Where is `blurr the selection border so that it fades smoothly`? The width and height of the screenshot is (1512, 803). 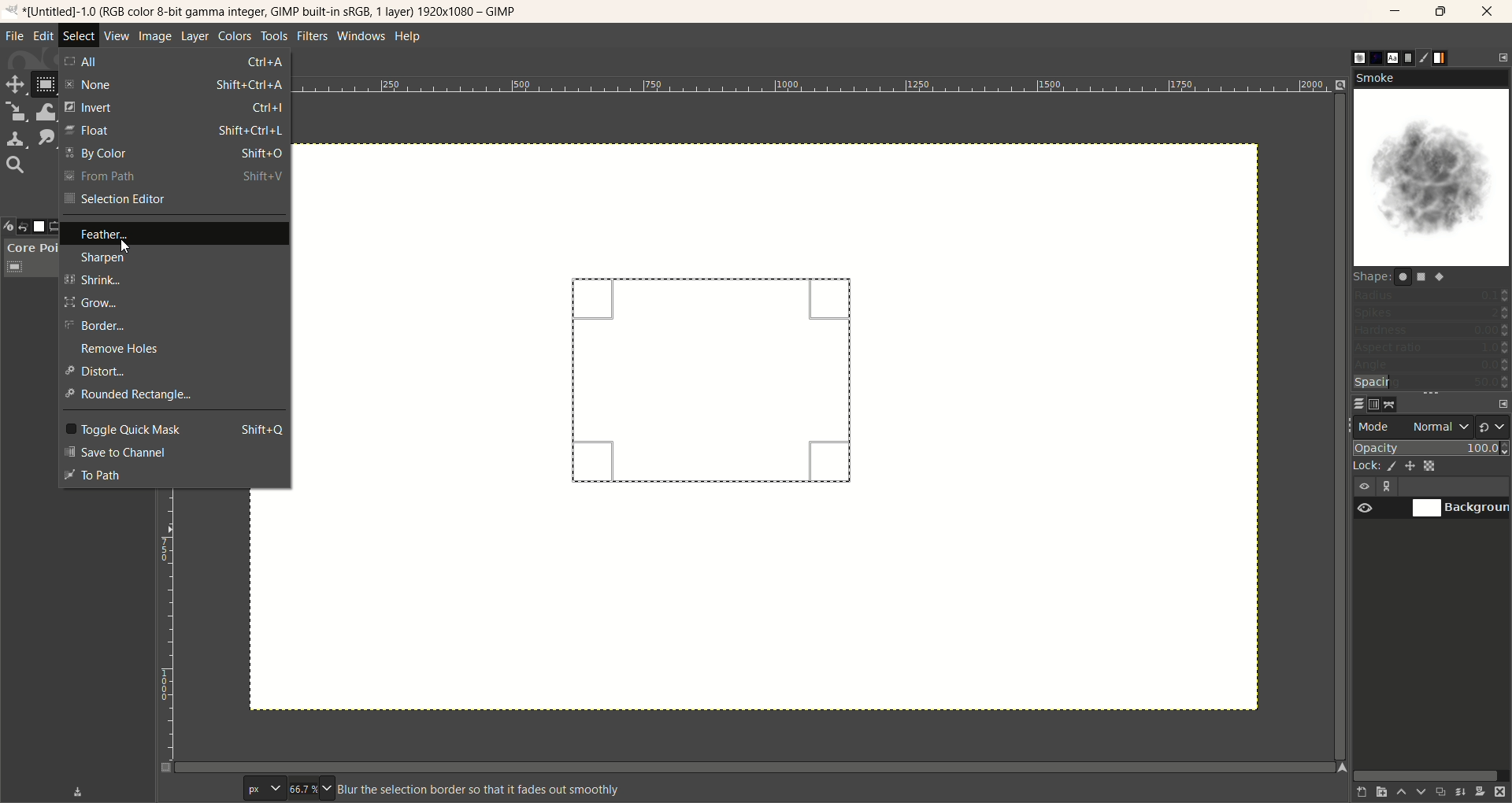 blurr the selection border so that it fades smoothly is located at coordinates (517, 791).